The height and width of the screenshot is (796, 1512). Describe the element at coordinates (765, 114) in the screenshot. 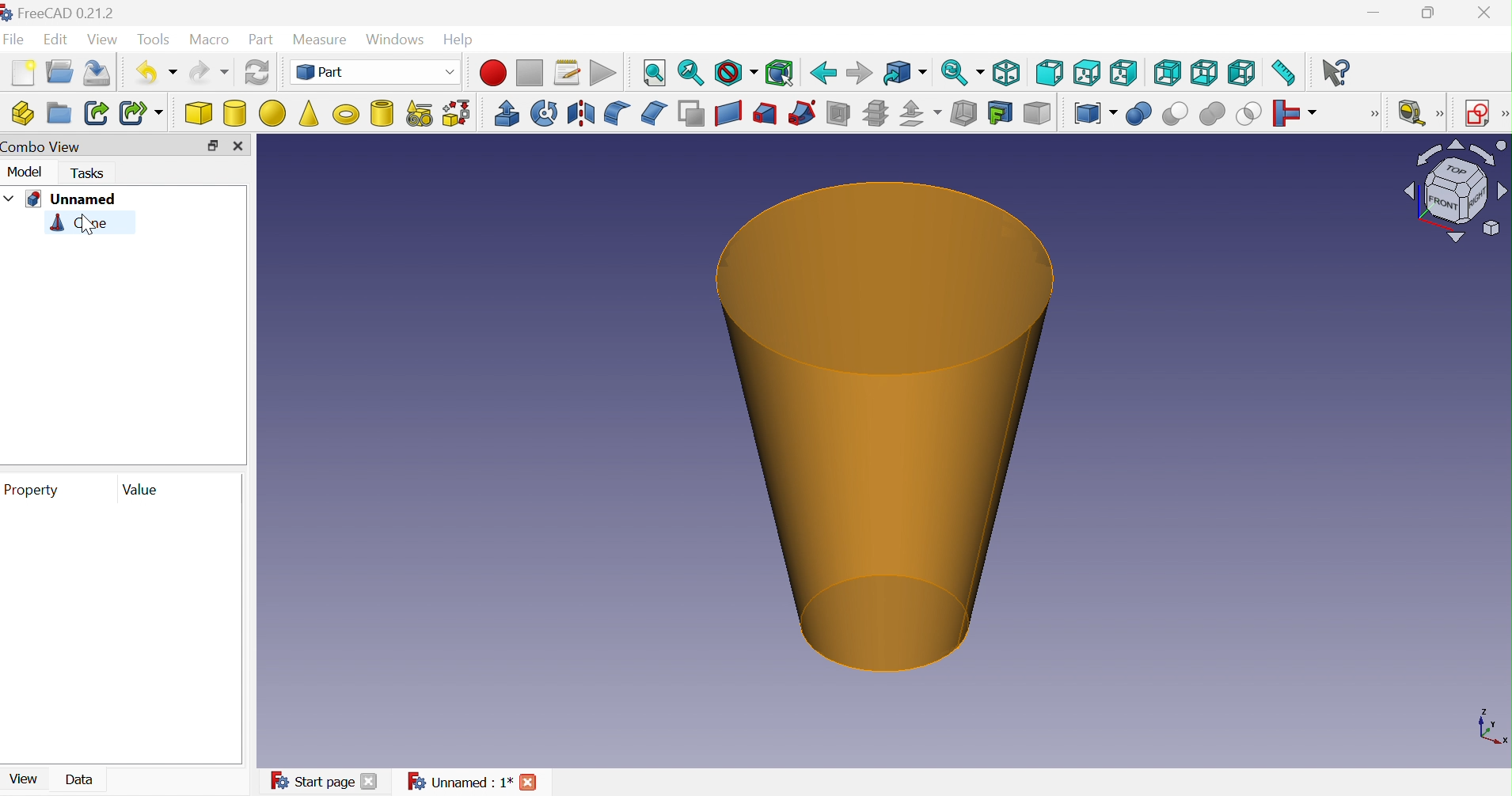

I see `Loft` at that location.